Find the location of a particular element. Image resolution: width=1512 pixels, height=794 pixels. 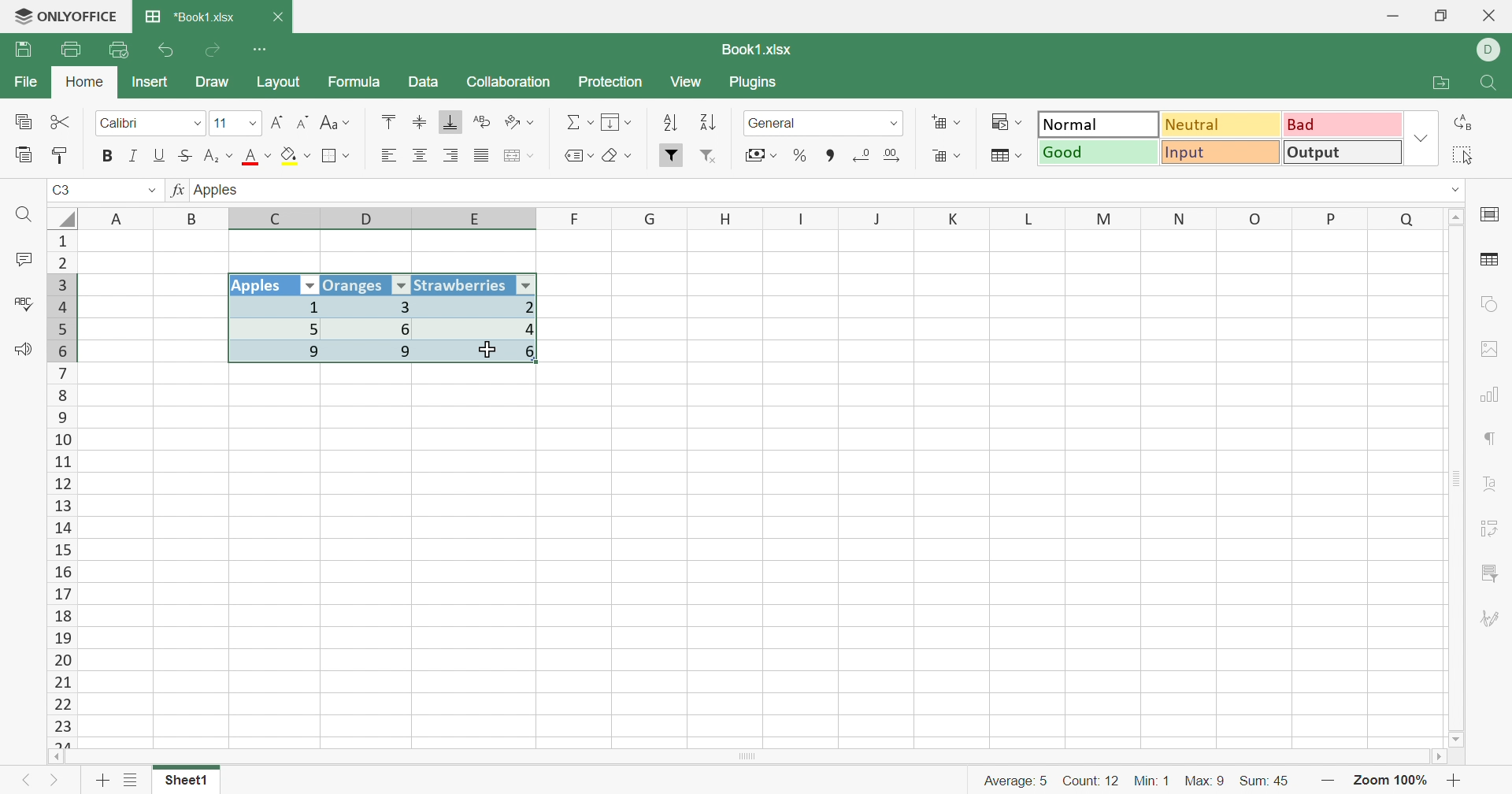

Open file location is located at coordinates (1445, 83).